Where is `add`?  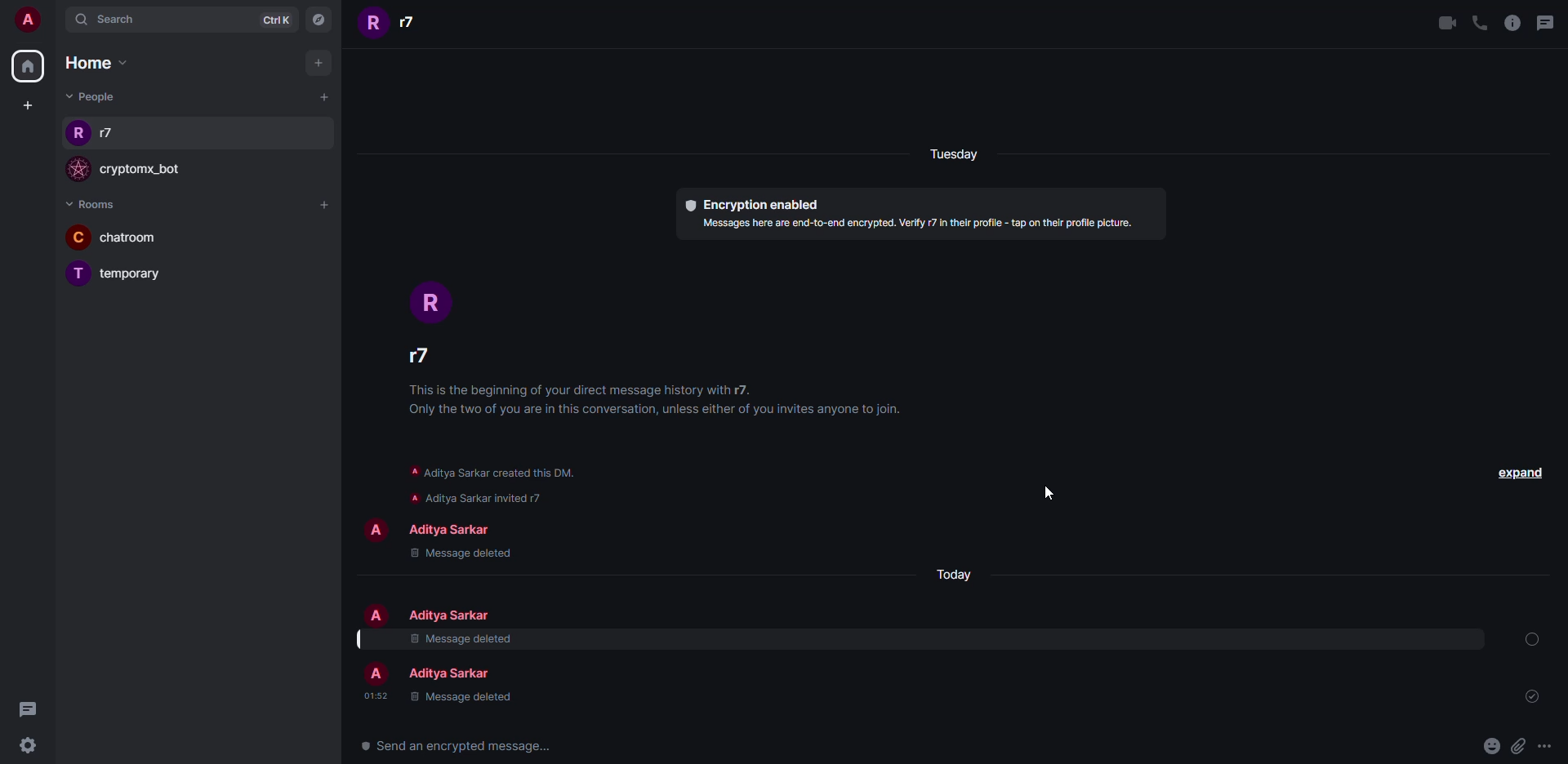 add is located at coordinates (323, 204).